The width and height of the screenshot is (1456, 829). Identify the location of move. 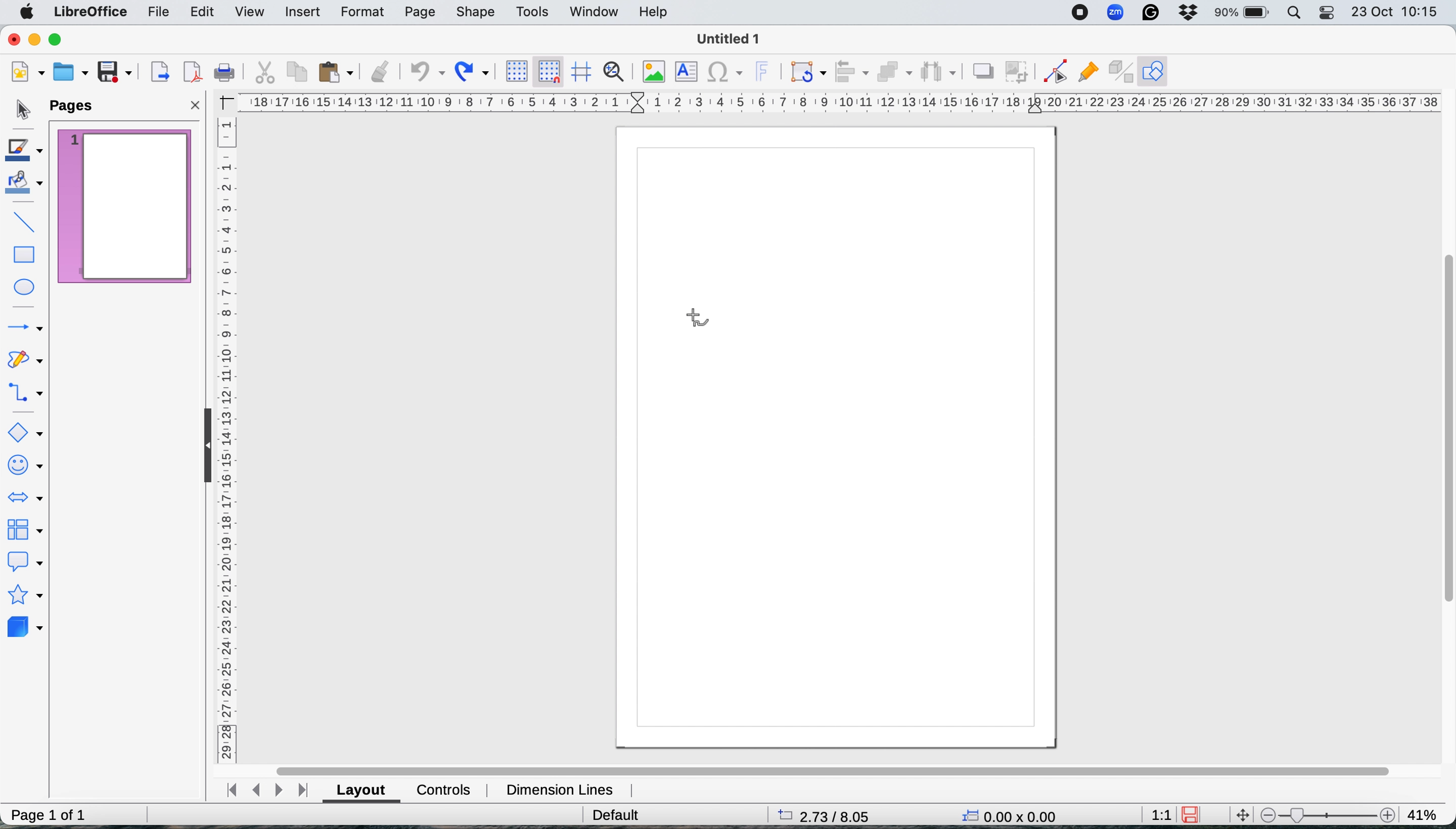
(1244, 815).